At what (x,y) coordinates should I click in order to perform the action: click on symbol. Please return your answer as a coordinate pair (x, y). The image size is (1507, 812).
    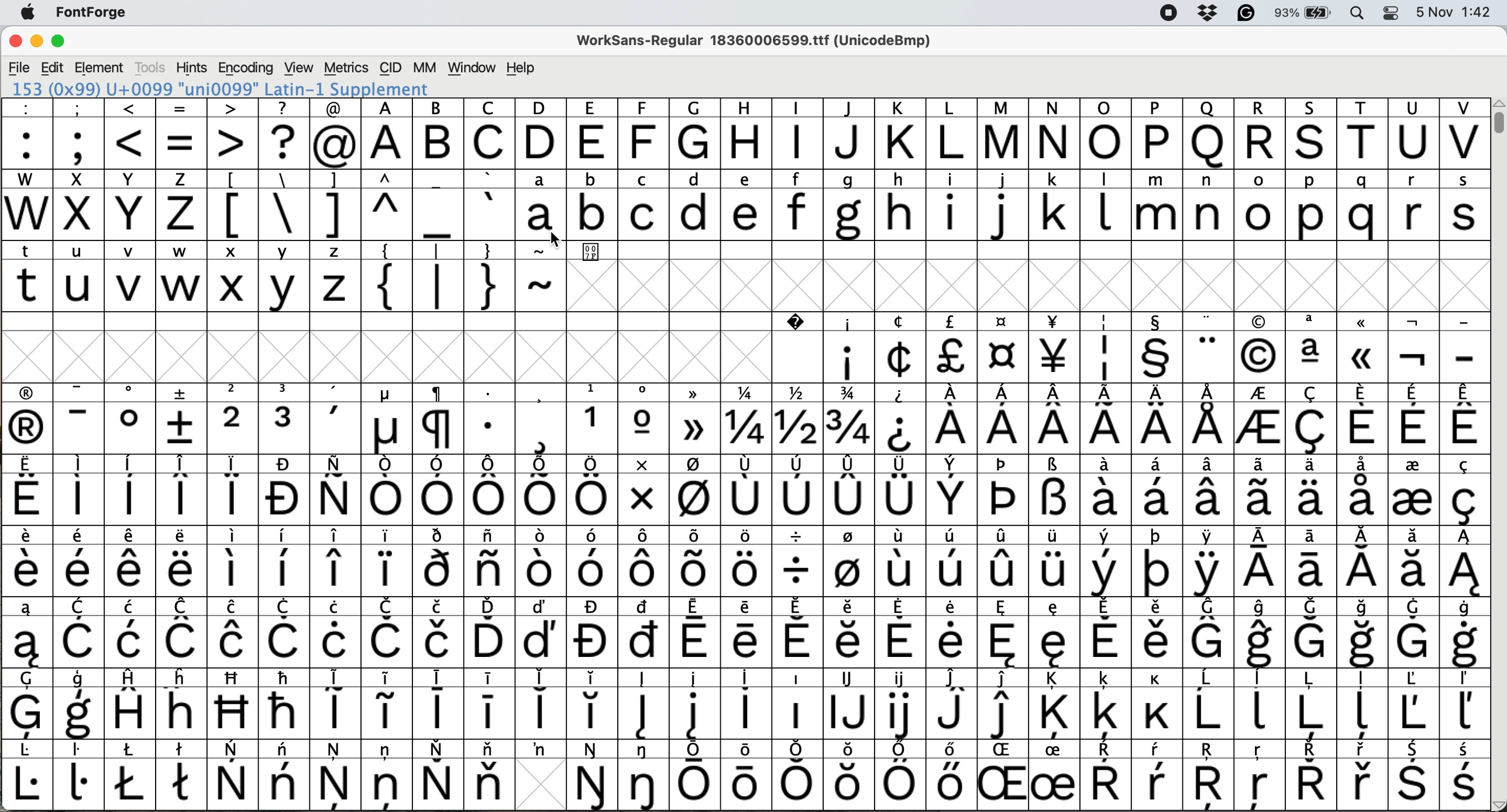
    Looking at the image, I should click on (1054, 562).